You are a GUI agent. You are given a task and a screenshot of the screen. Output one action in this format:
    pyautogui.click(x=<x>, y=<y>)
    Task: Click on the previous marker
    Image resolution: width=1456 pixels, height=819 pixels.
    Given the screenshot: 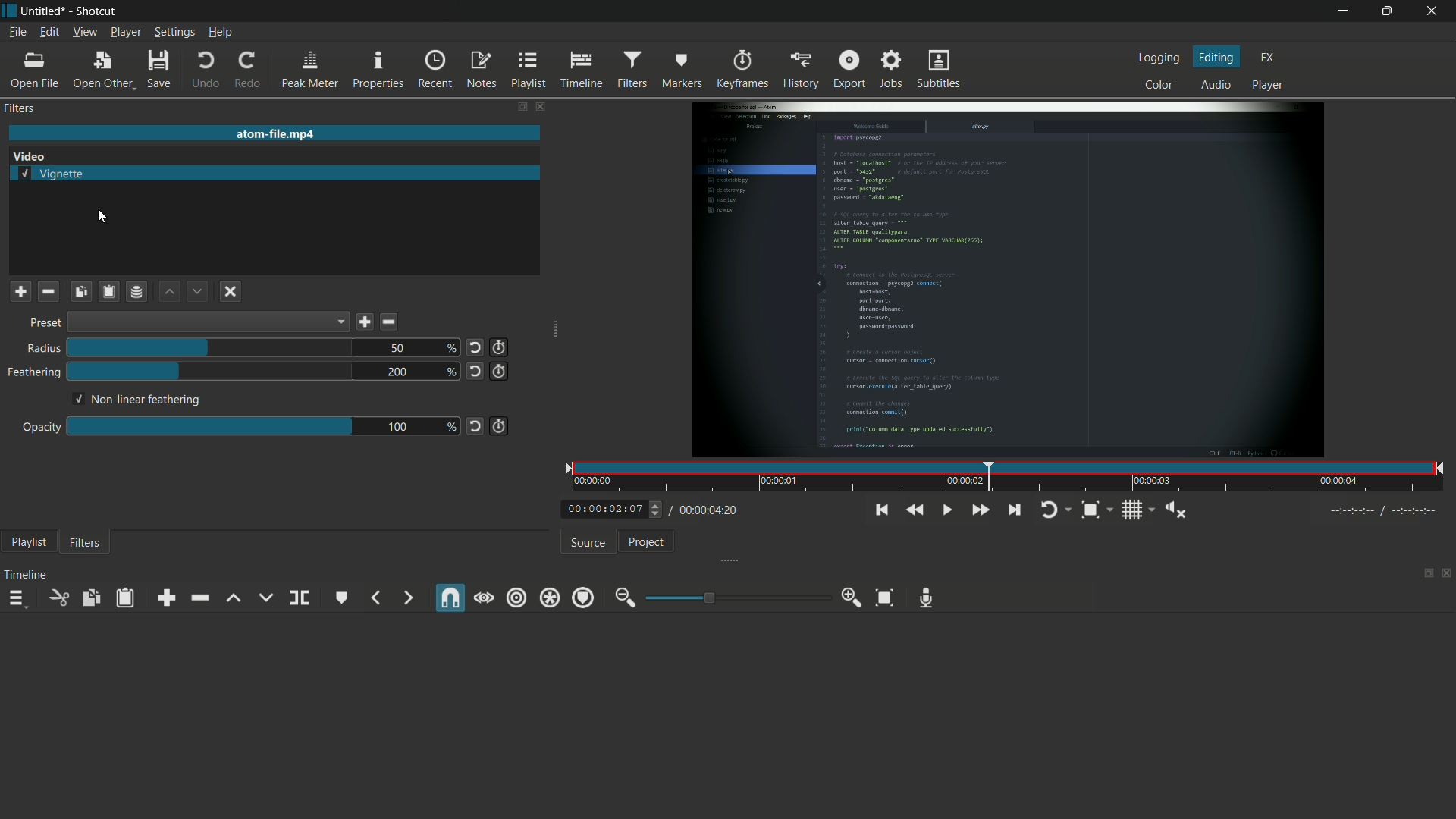 What is the action you would take?
    pyautogui.click(x=375, y=598)
    